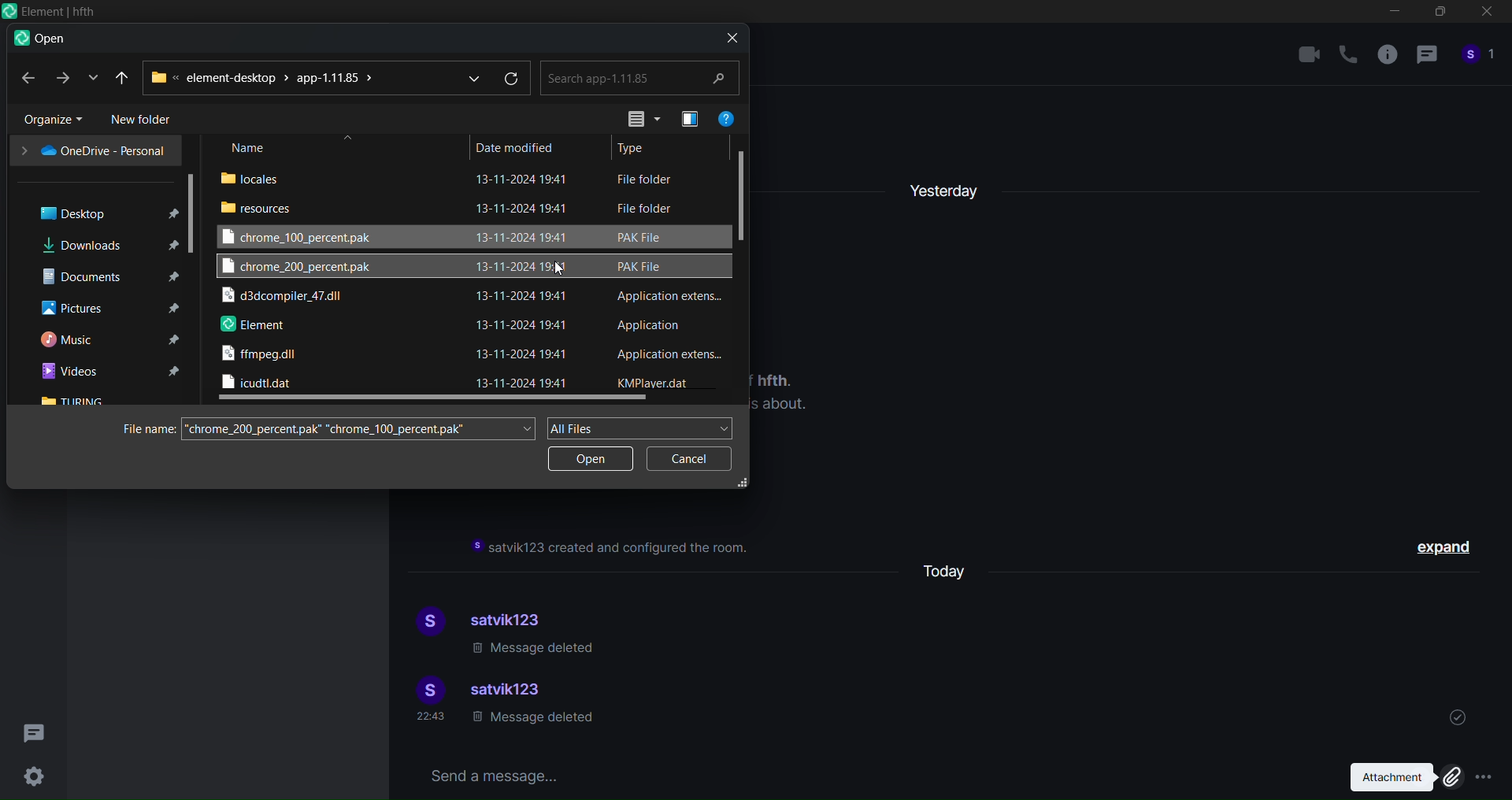 The width and height of the screenshot is (1512, 800). Describe the element at coordinates (510, 691) in the screenshot. I see `satvik123` at that location.